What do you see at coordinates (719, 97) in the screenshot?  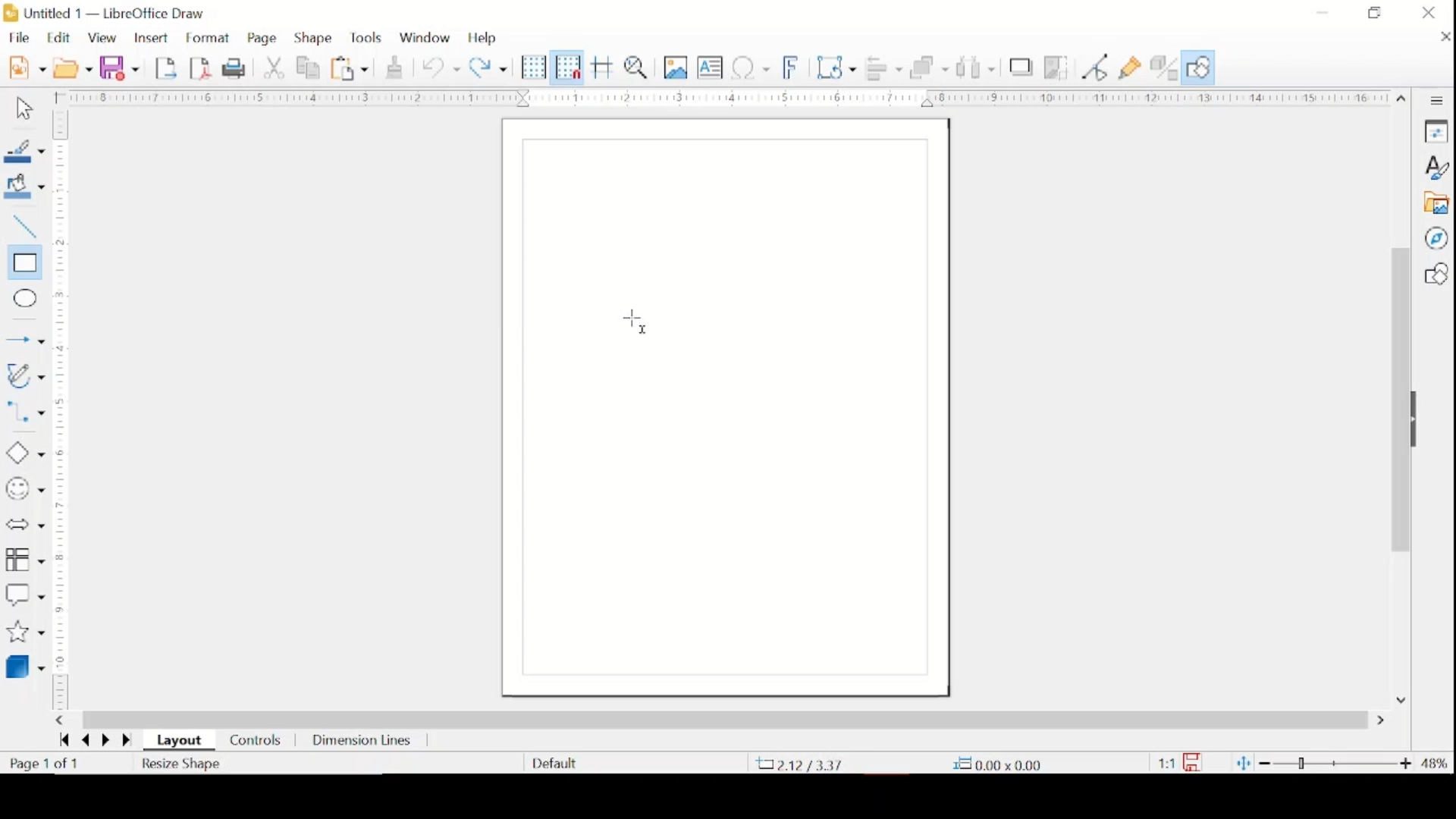 I see `margin` at bounding box center [719, 97].